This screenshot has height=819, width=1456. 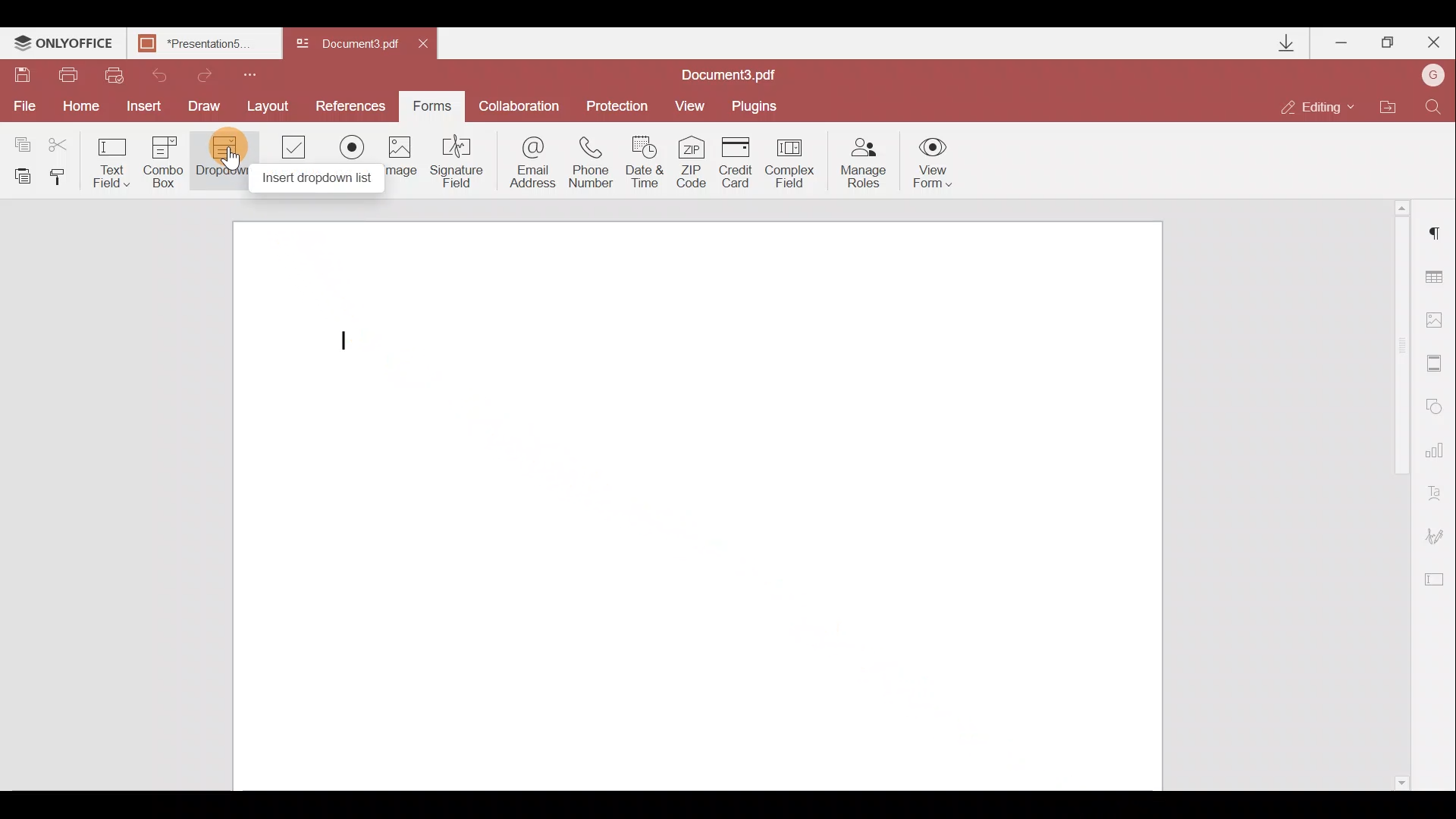 What do you see at coordinates (1434, 105) in the screenshot?
I see `Find` at bounding box center [1434, 105].